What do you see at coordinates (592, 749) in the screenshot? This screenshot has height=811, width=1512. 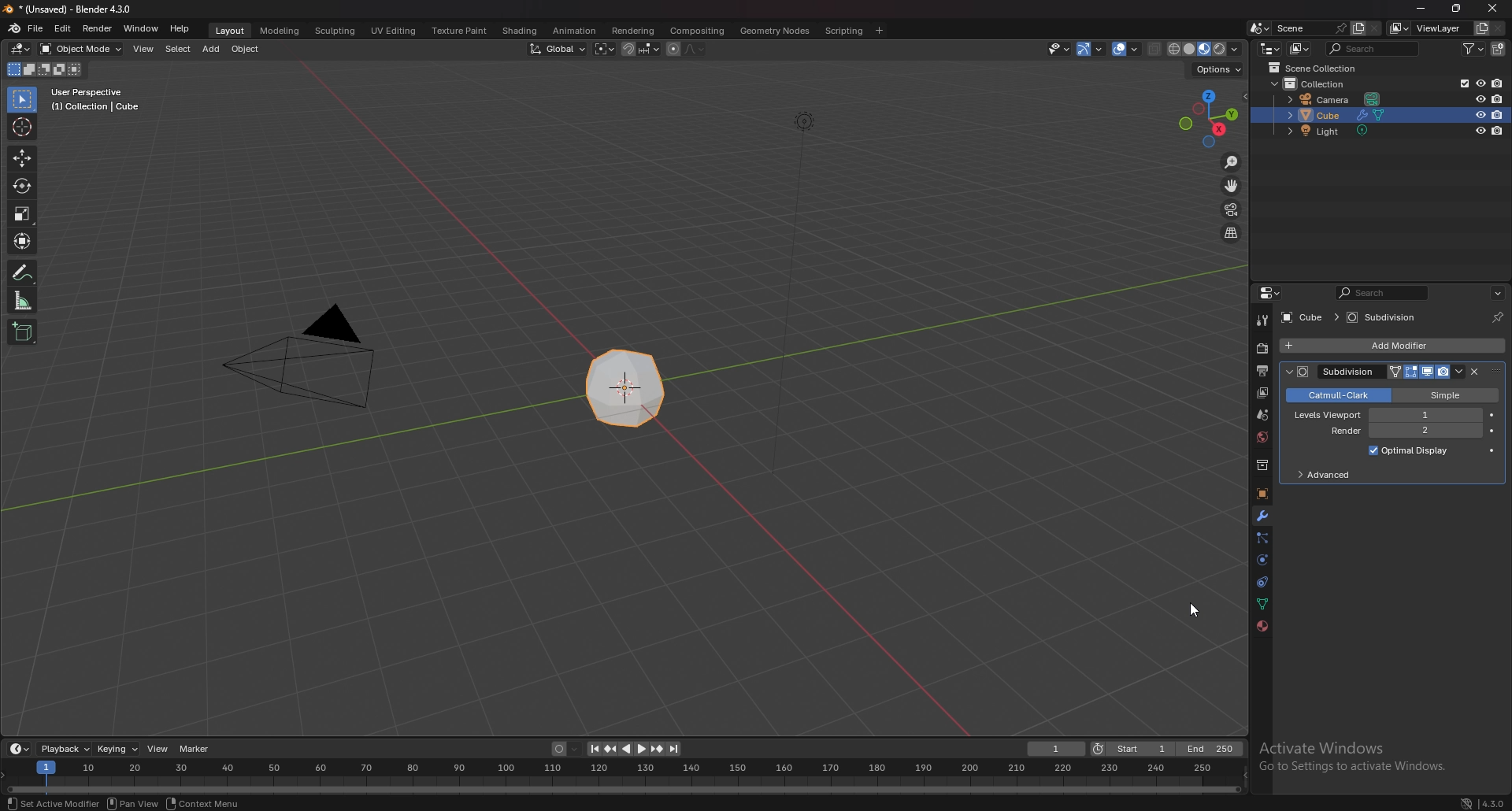 I see `jump to endpoint` at bounding box center [592, 749].